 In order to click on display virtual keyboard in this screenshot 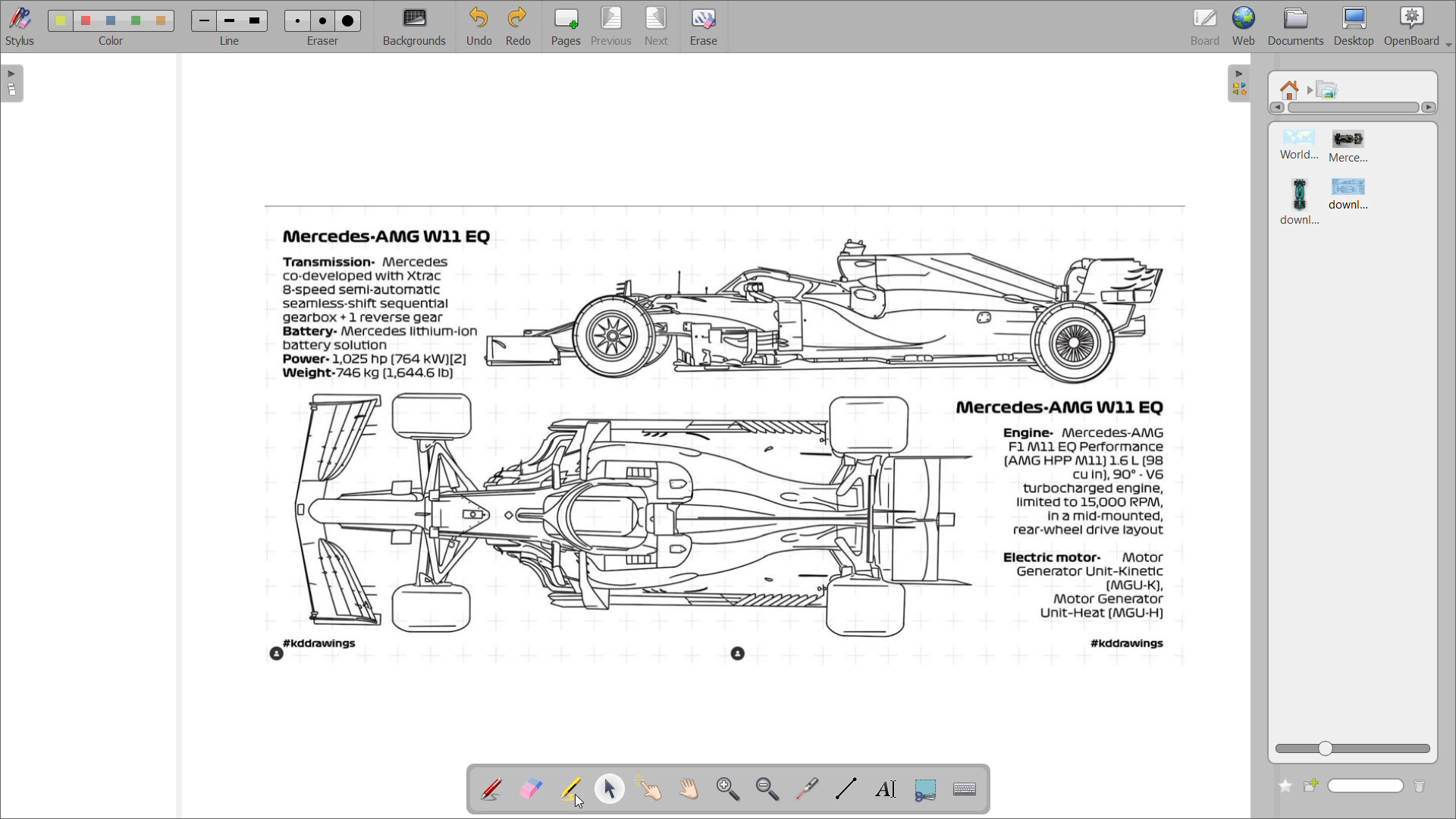, I will do `click(967, 790)`.